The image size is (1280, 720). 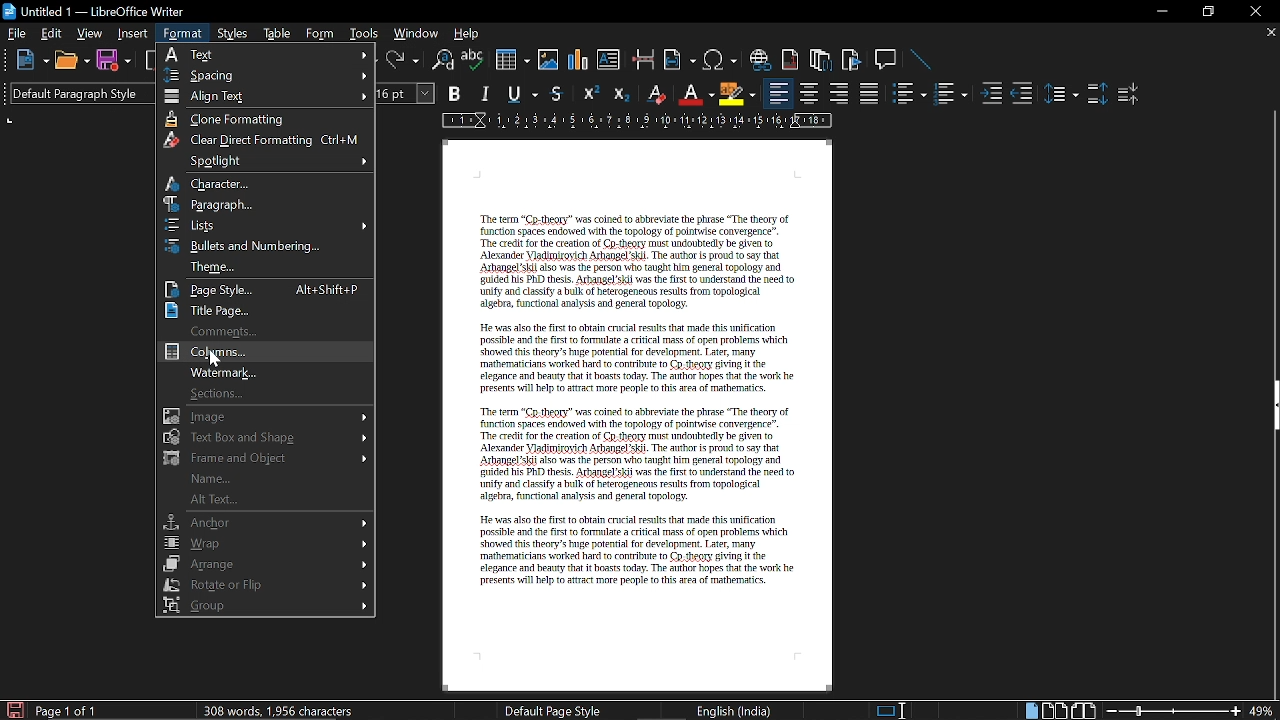 What do you see at coordinates (839, 92) in the screenshot?
I see `align right` at bounding box center [839, 92].